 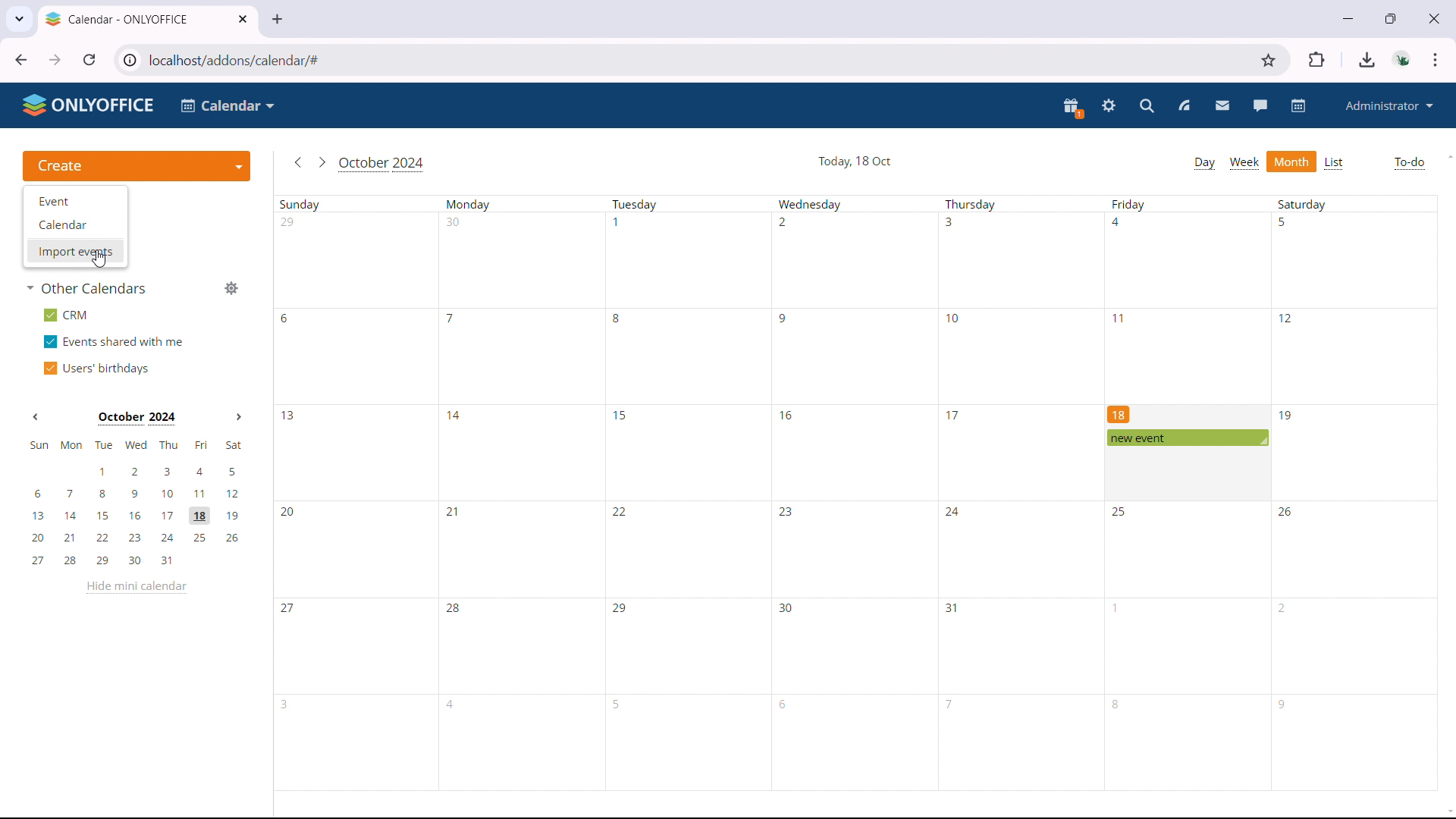 What do you see at coordinates (89, 105) in the screenshot?
I see `ONLYOFFICE` at bounding box center [89, 105].